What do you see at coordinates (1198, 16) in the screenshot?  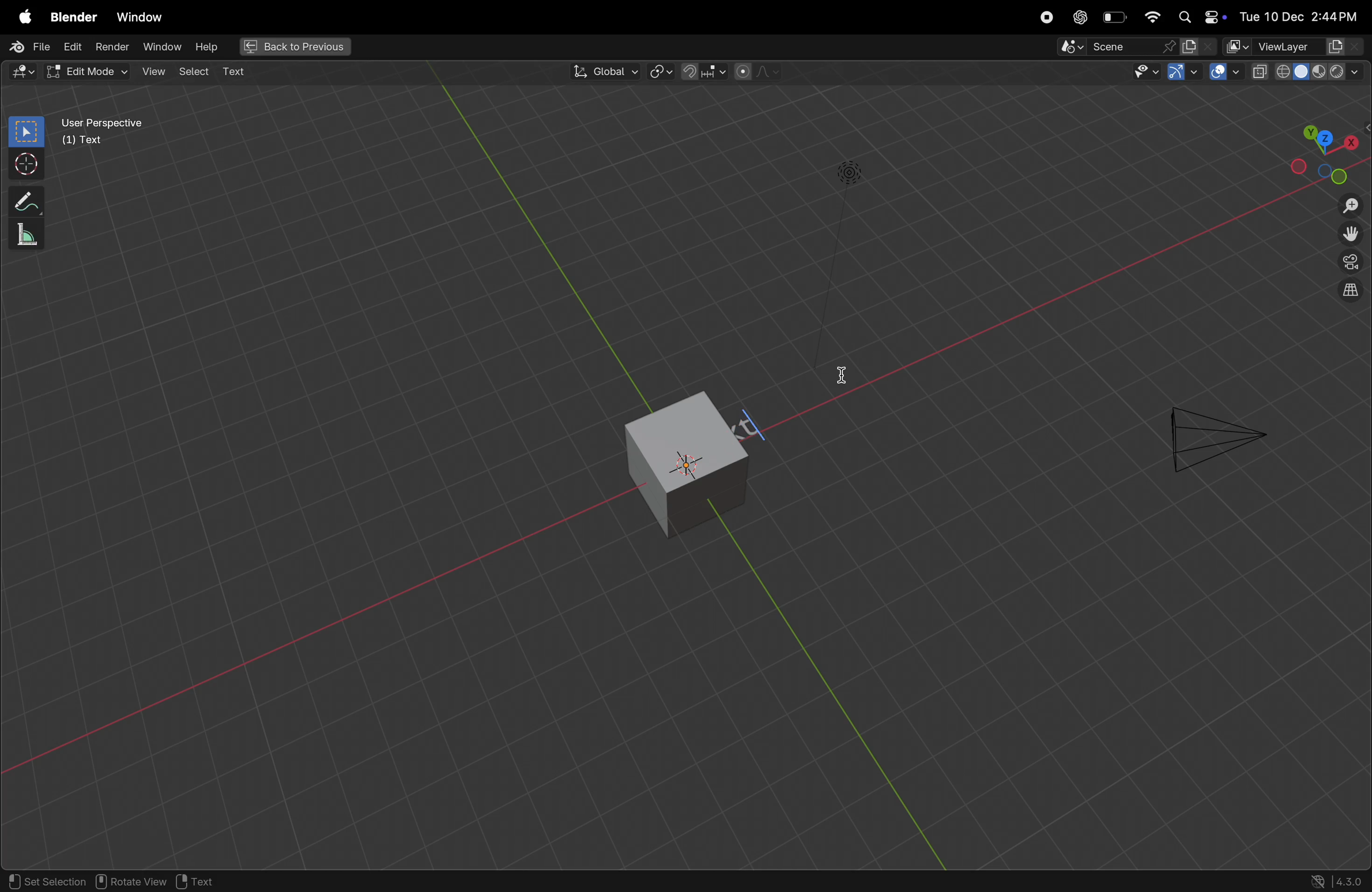 I see `apple widgets` at bounding box center [1198, 16].